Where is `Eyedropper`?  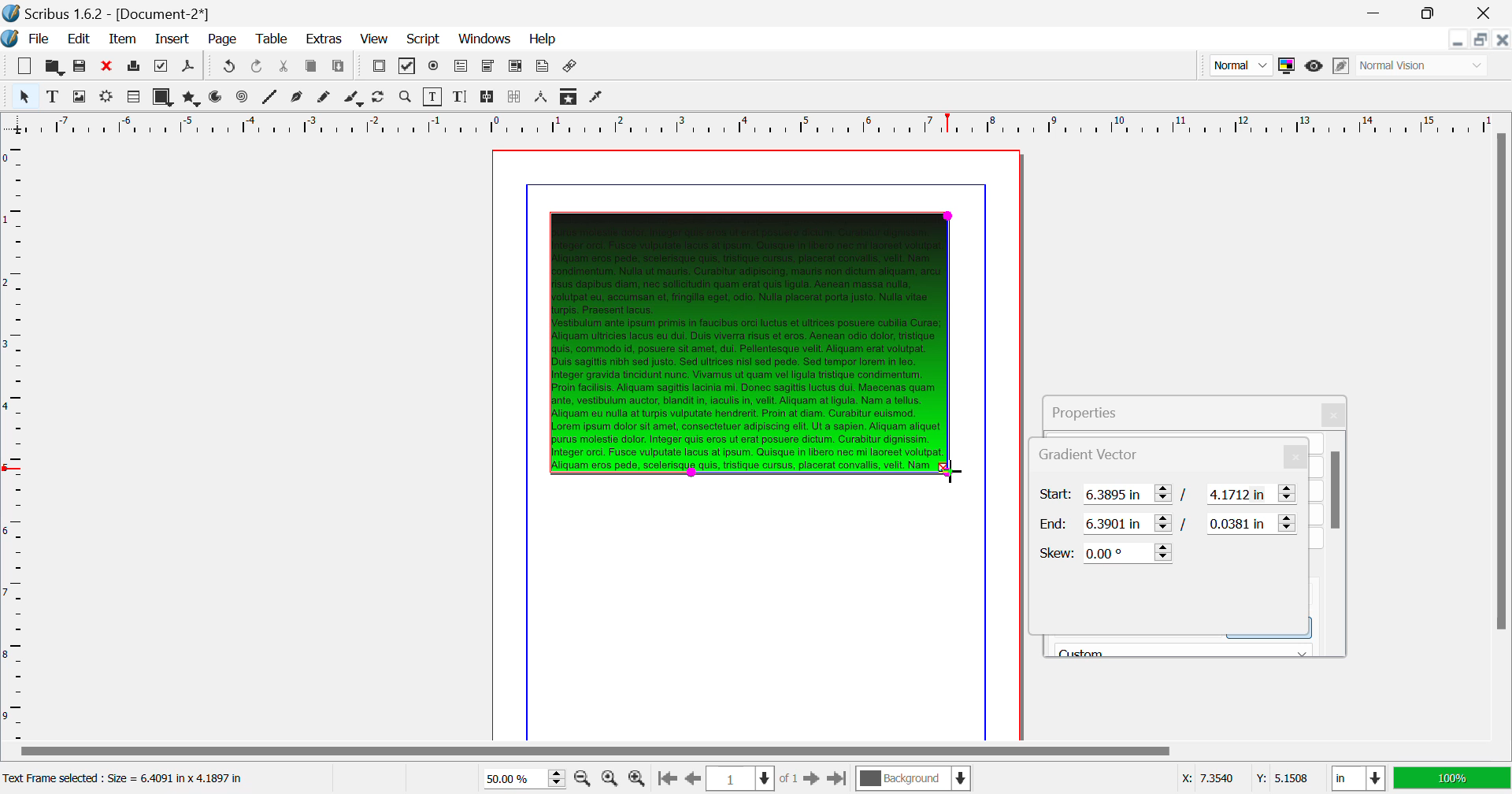
Eyedropper is located at coordinates (597, 98).